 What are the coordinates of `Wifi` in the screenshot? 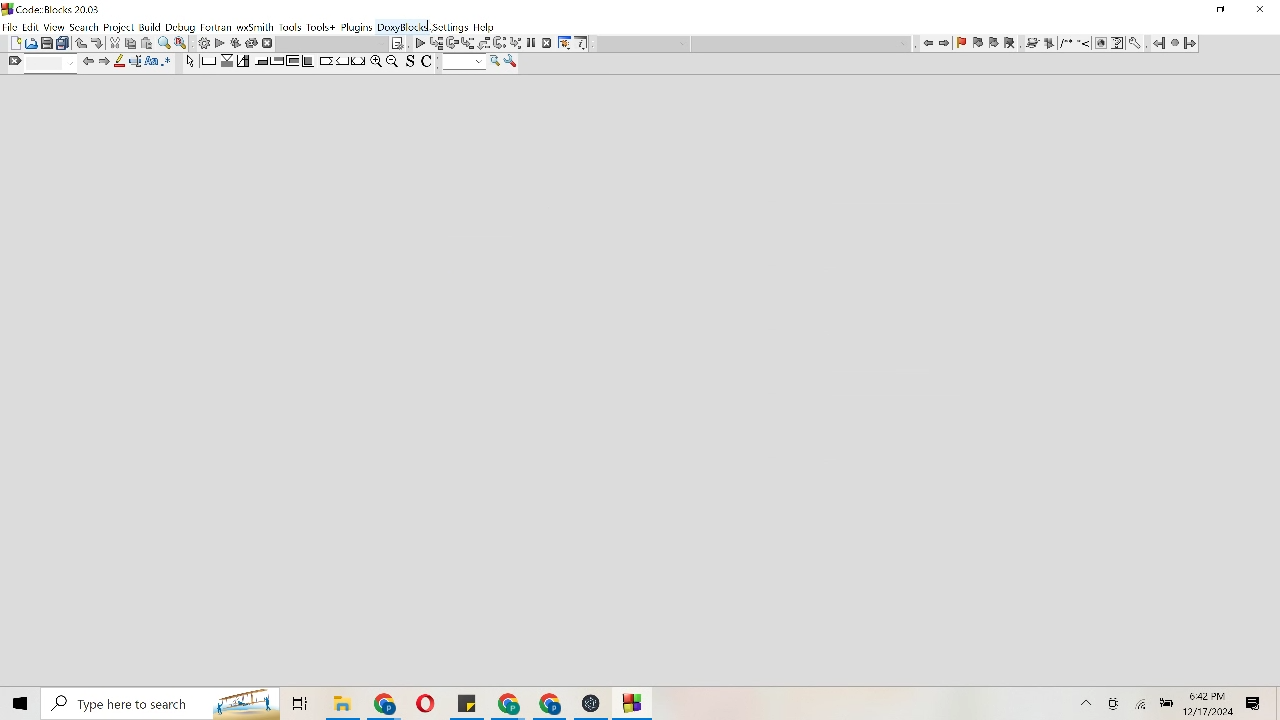 It's located at (1143, 703).